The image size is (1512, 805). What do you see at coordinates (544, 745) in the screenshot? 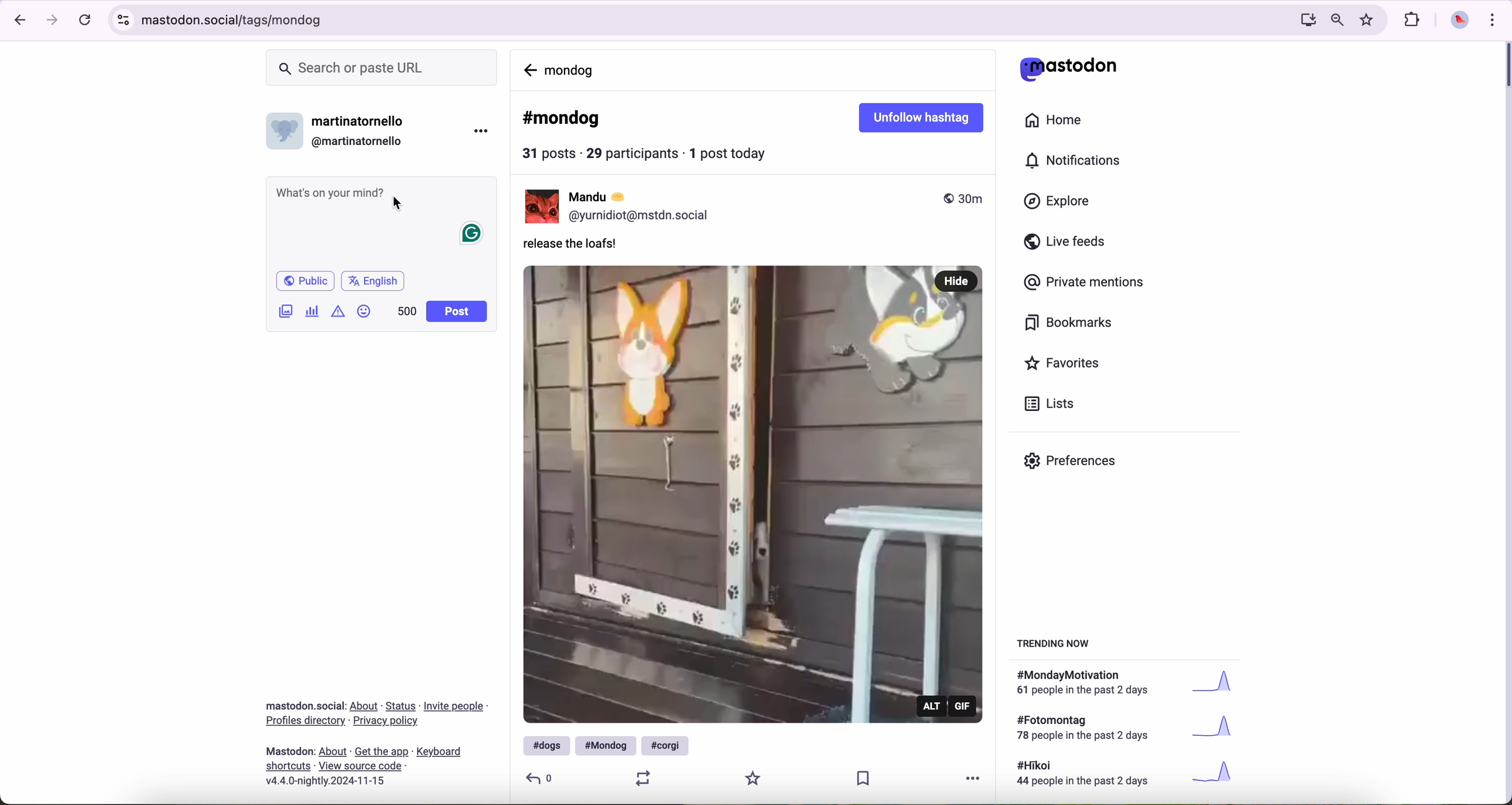
I see `#dogs` at bounding box center [544, 745].